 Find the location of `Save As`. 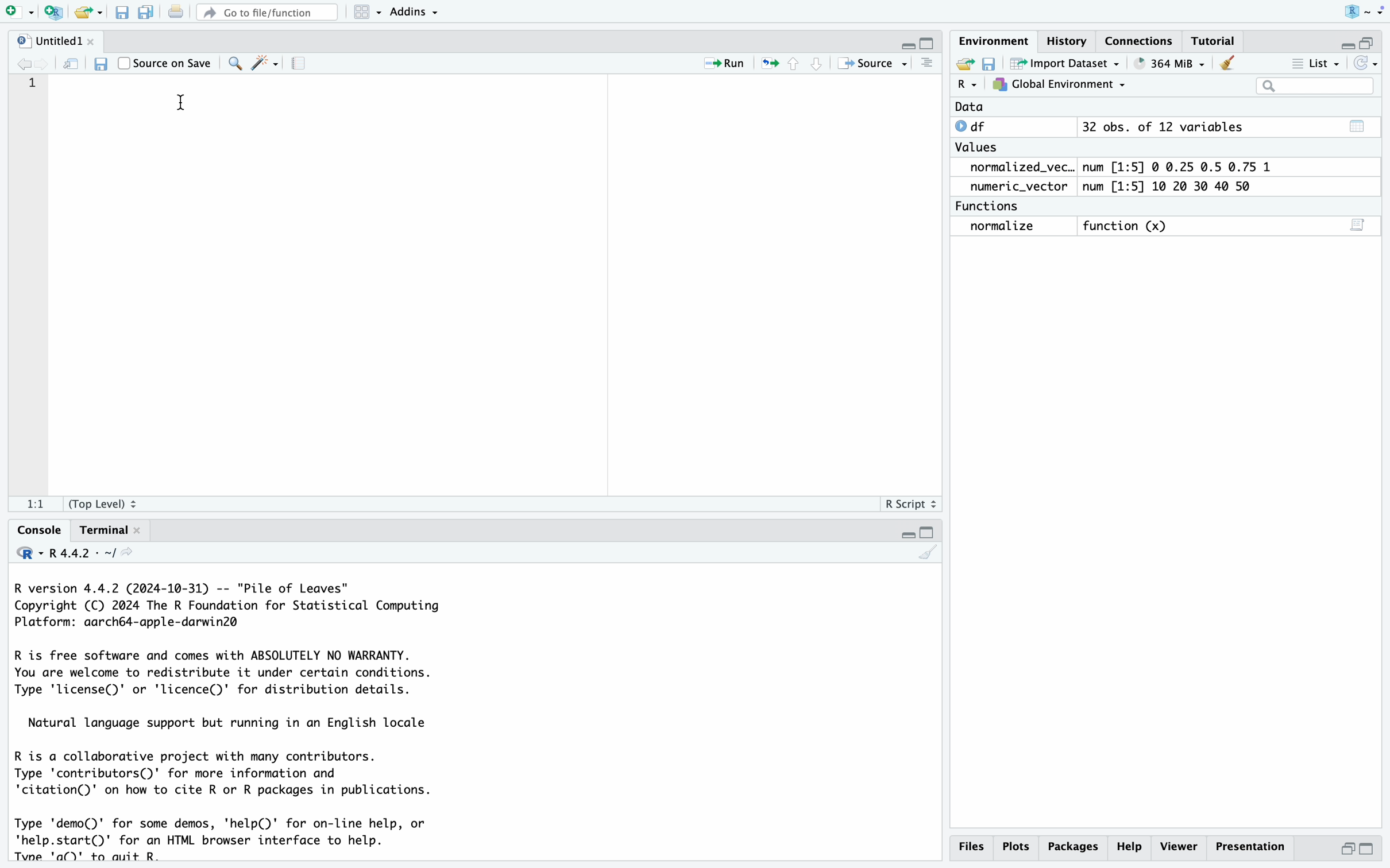

Save As is located at coordinates (146, 13).